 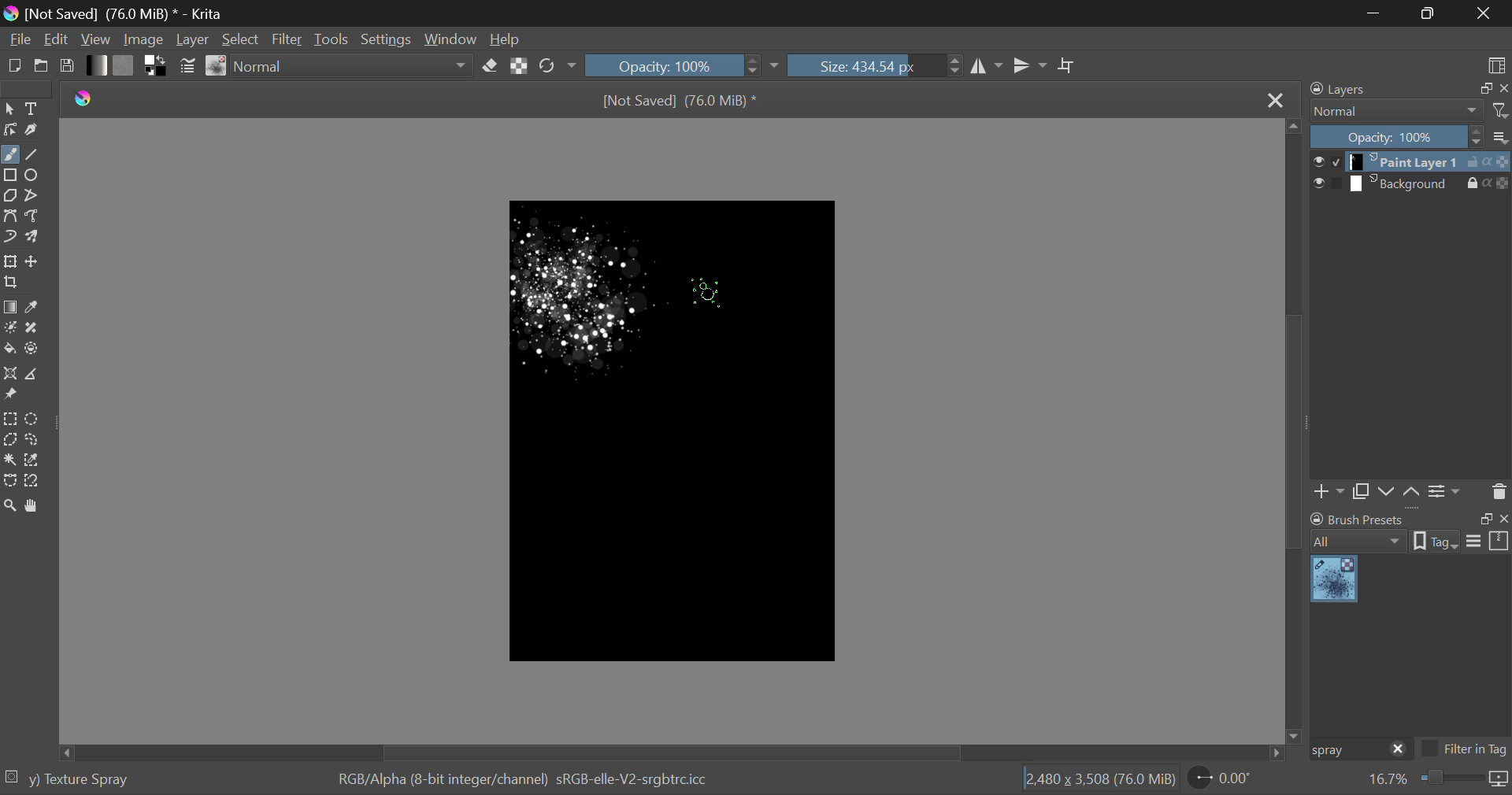 What do you see at coordinates (1329, 494) in the screenshot?
I see `Add Layer` at bounding box center [1329, 494].